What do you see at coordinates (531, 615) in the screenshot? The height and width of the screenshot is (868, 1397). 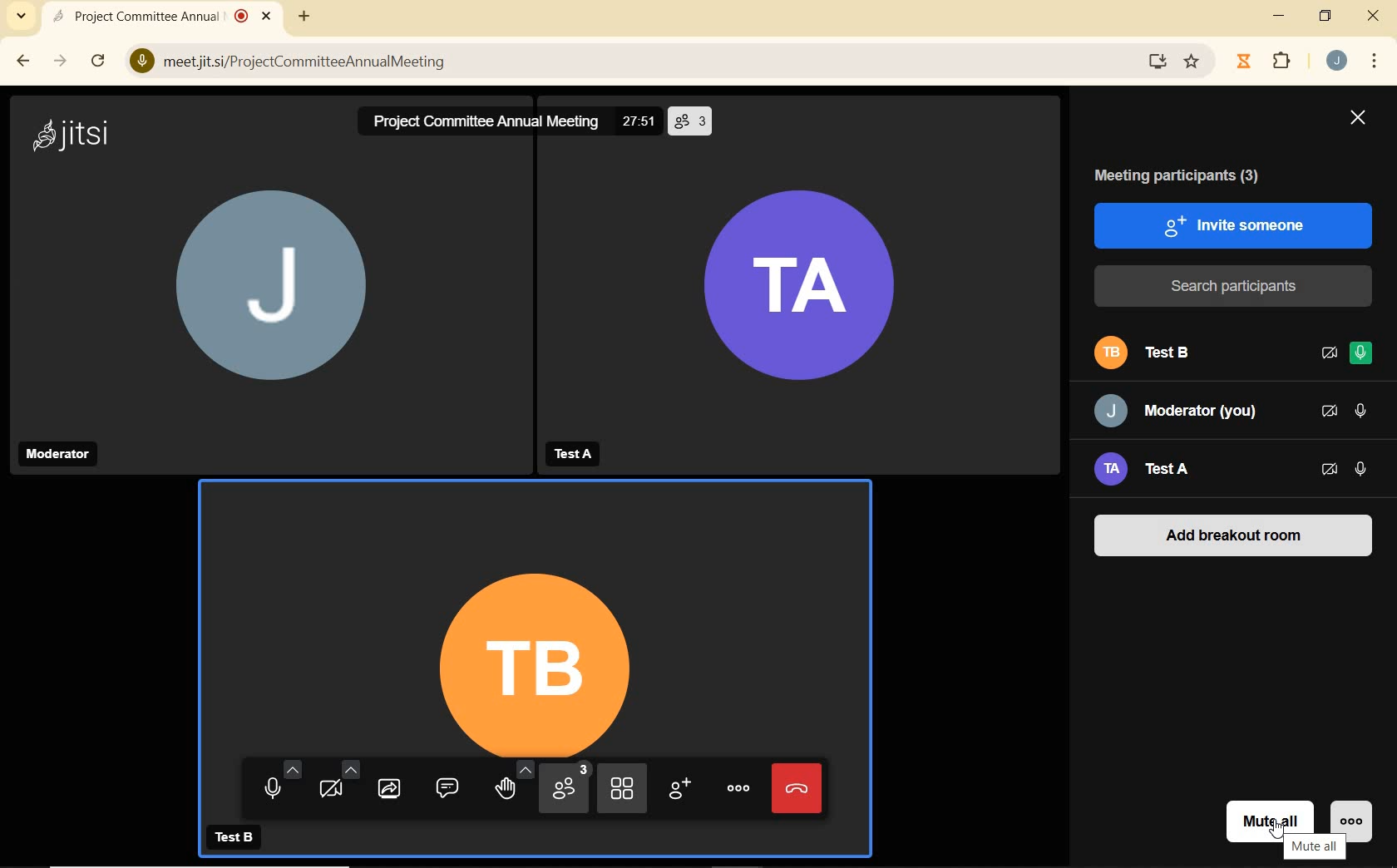 I see `TB` at bounding box center [531, 615].